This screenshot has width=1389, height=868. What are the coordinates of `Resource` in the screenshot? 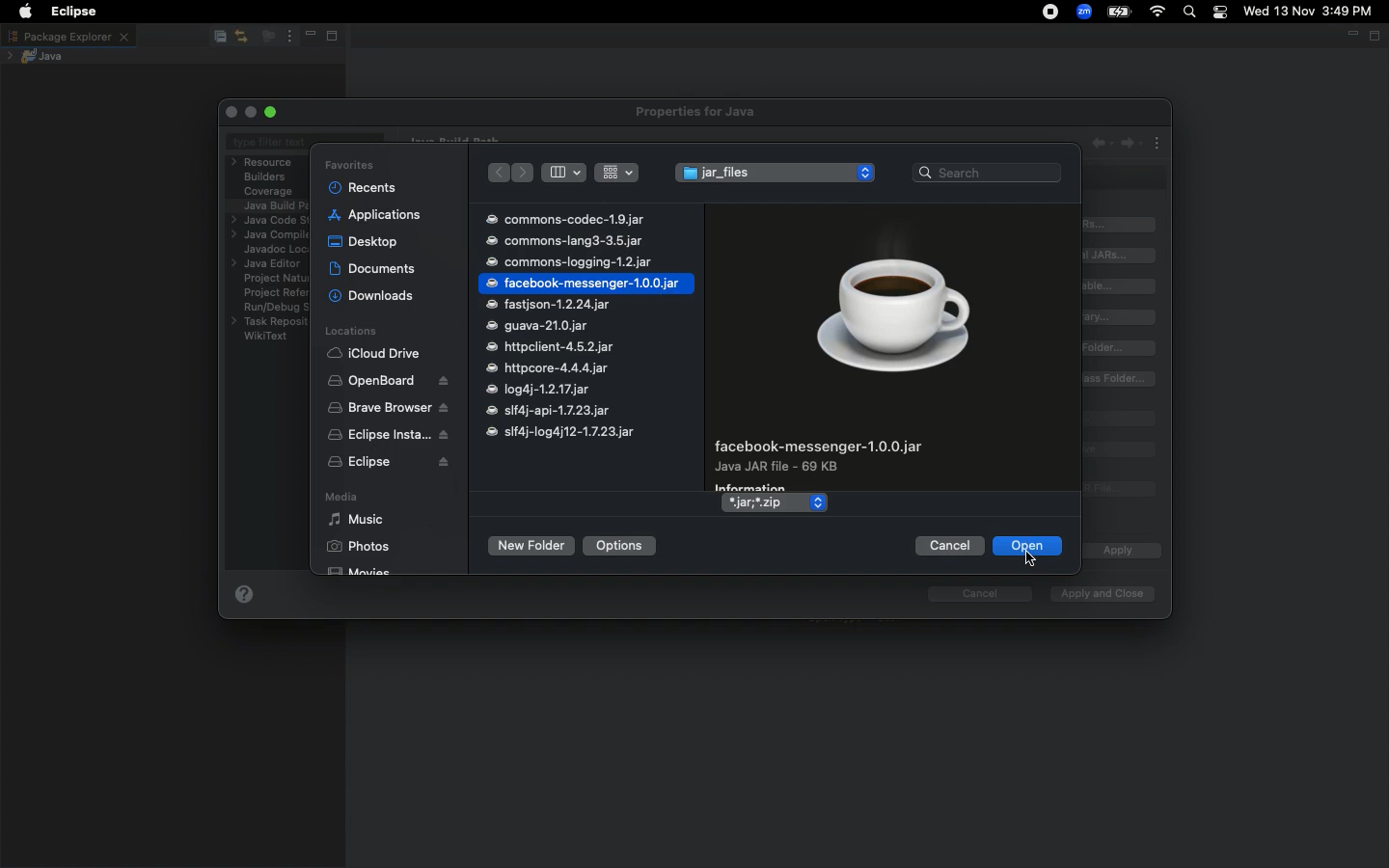 It's located at (264, 162).